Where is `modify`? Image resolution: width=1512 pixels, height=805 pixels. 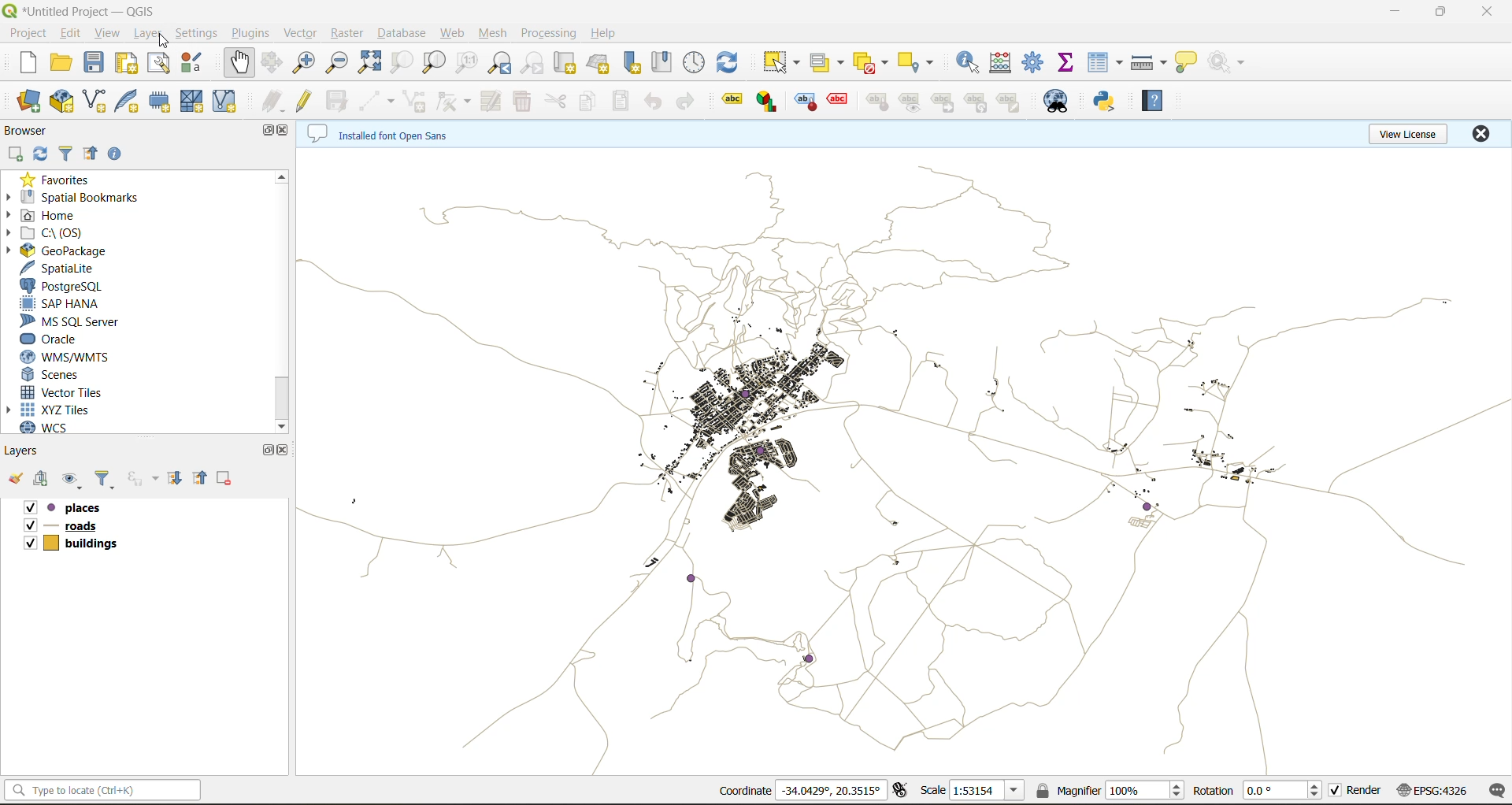 modify is located at coordinates (492, 103).